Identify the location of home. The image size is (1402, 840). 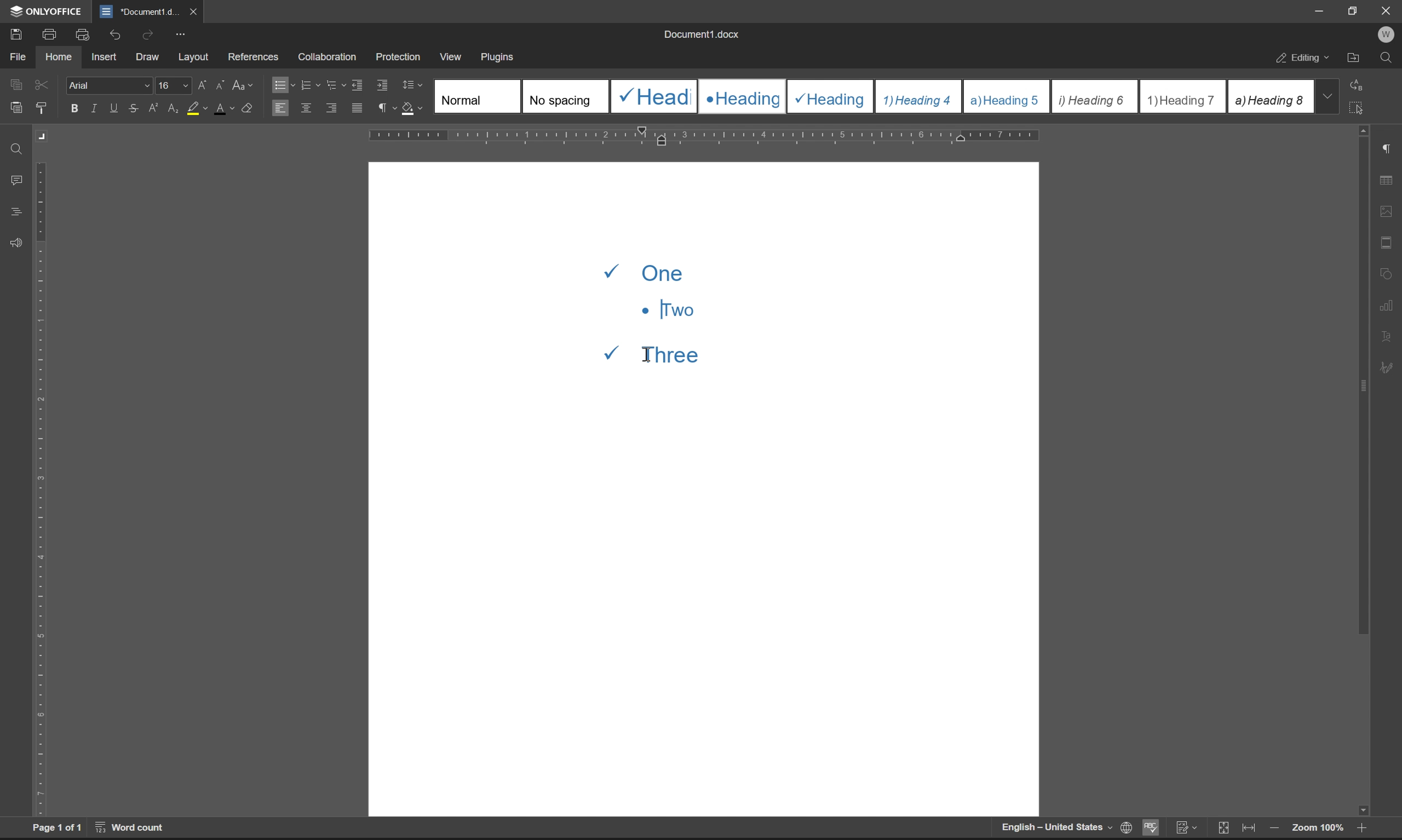
(58, 55).